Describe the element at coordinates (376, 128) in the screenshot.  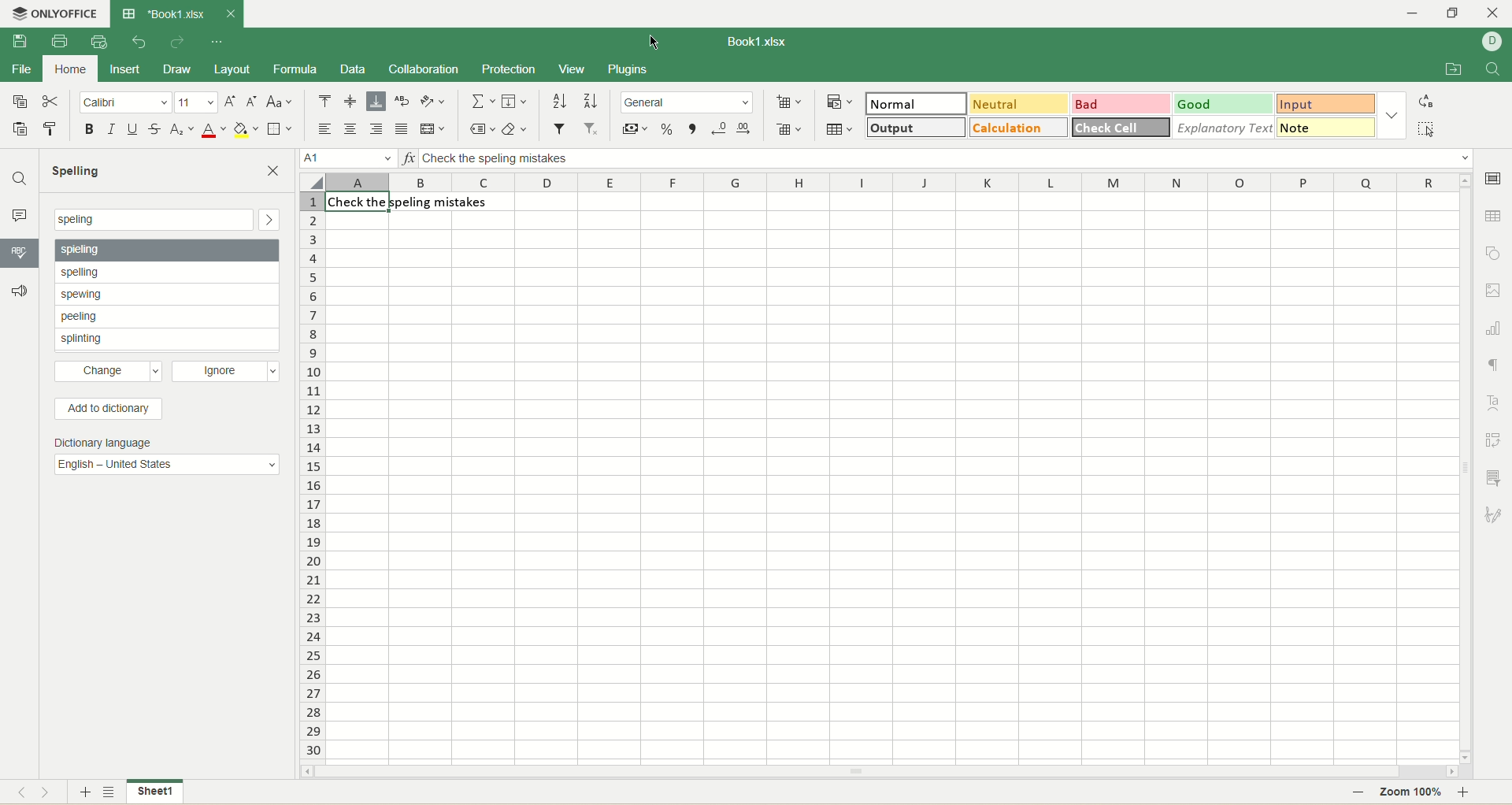
I see `align right` at that location.